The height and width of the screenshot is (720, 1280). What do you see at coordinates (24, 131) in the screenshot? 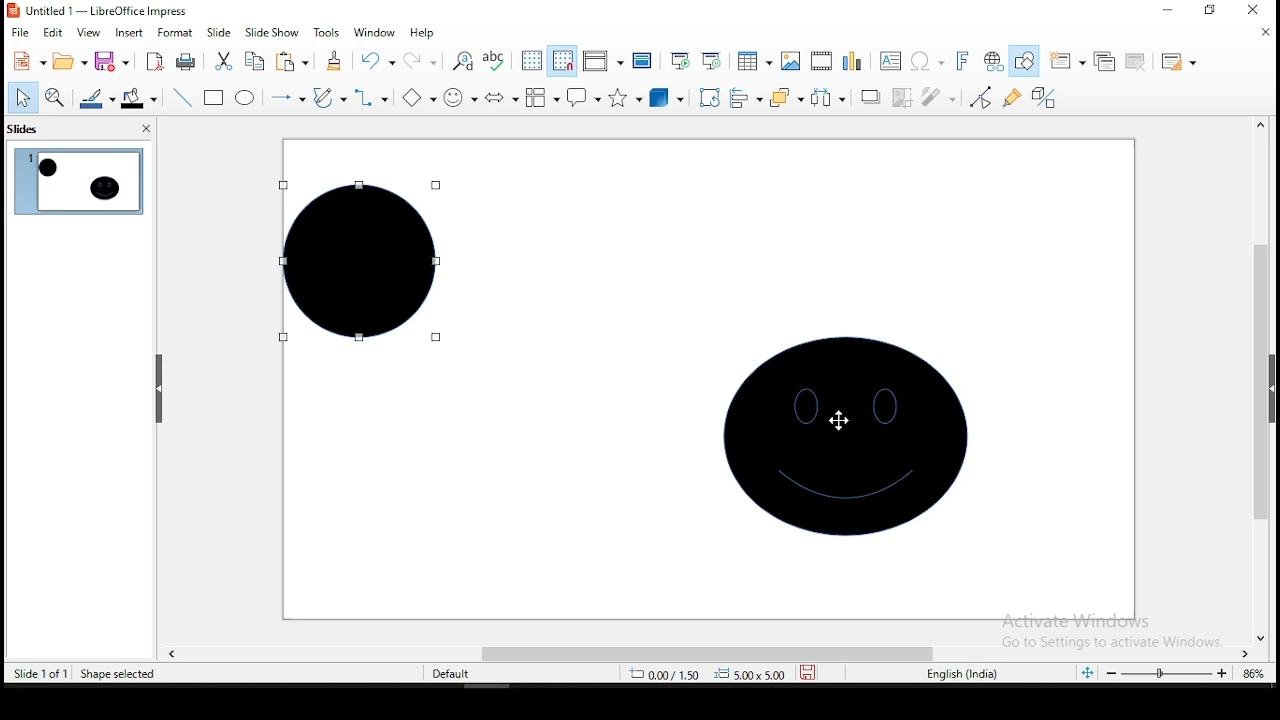
I see `slides` at bounding box center [24, 131].